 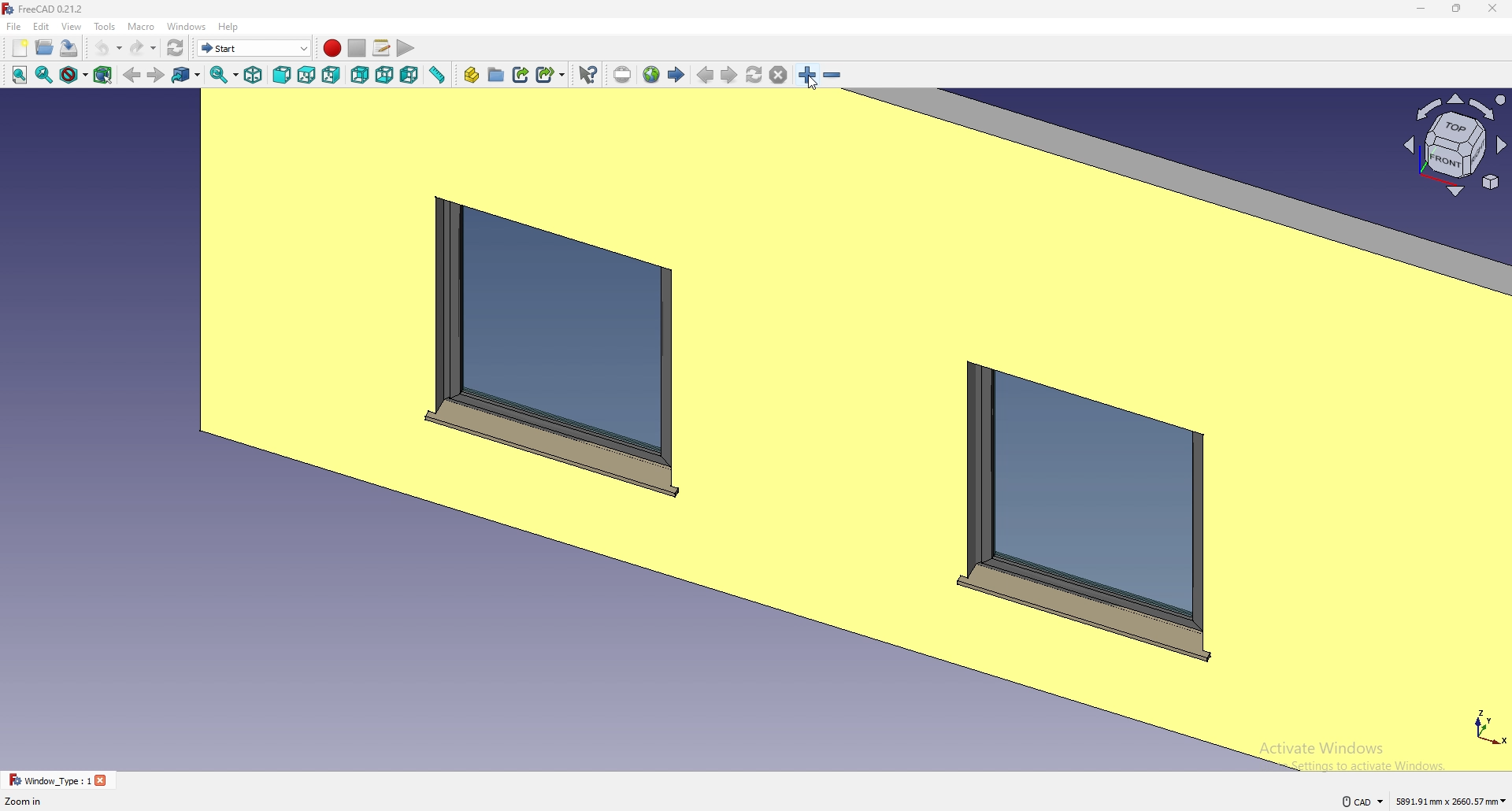 I want to click on navigation style, so click(x=1362, y=802).